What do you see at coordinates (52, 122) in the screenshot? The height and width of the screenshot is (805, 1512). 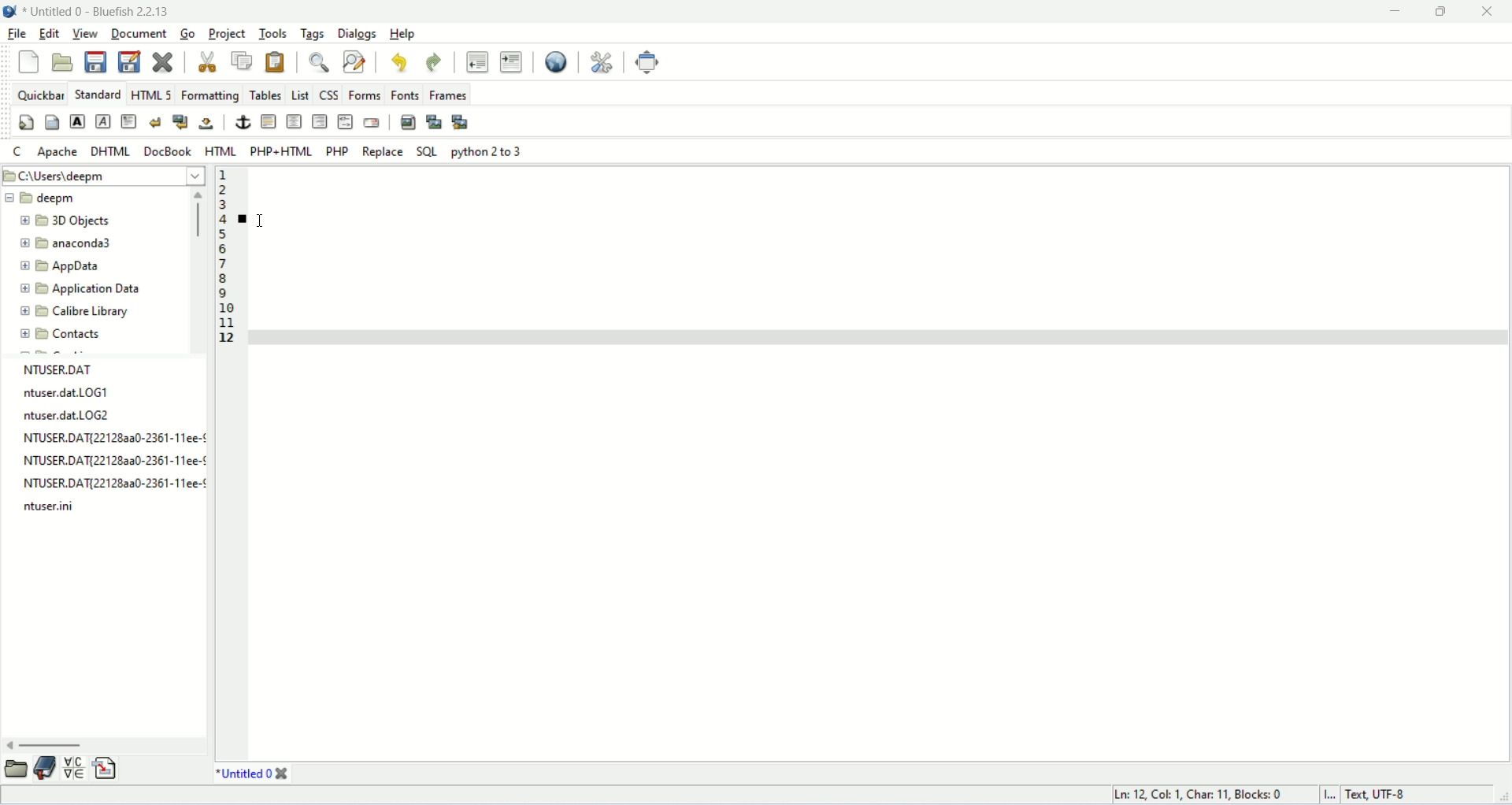 I see `body` at bounding box center [52, 122].